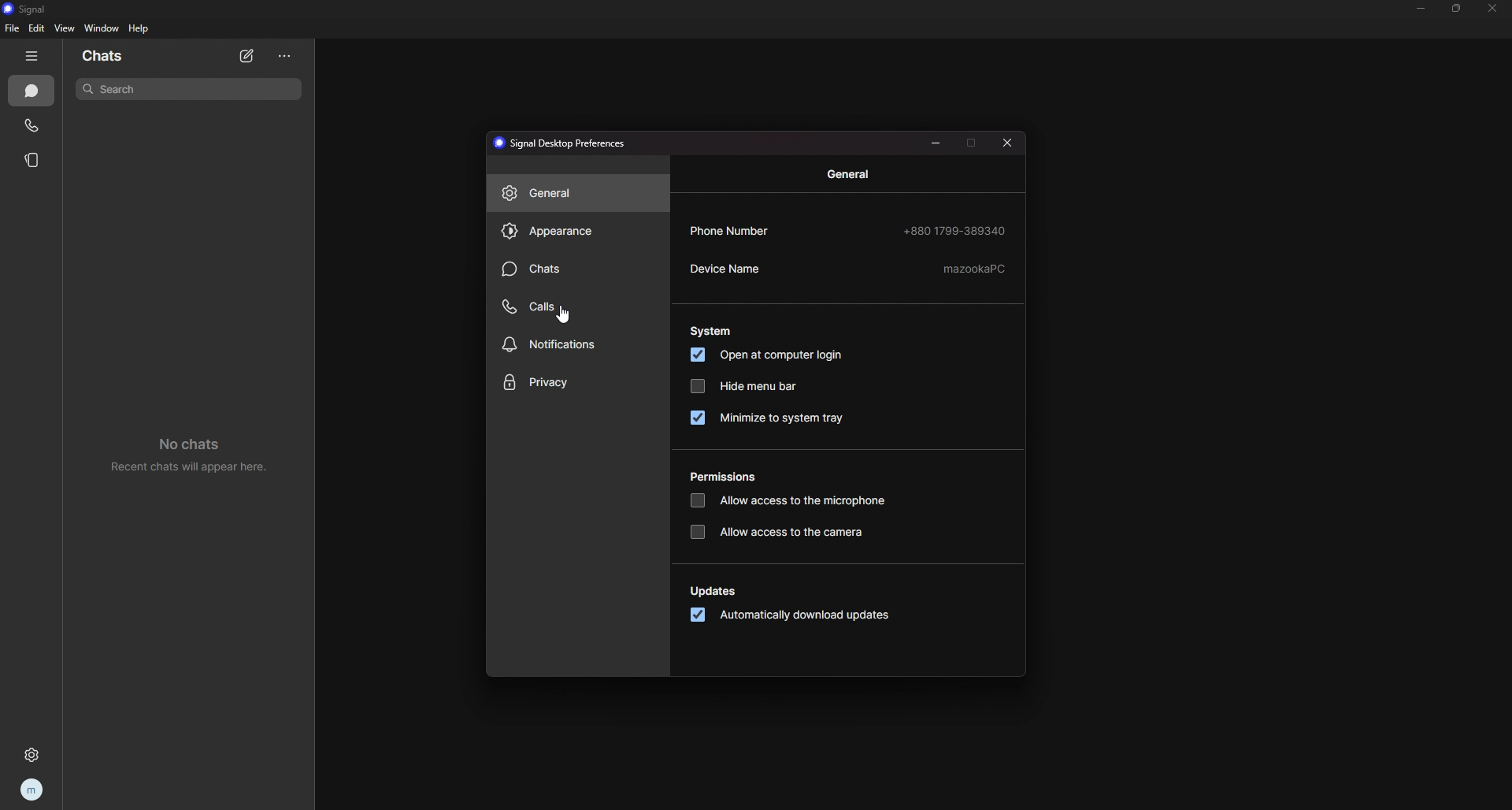 Image resolution: width=1512 pixels, height=810 pixels. Describe the element at coordinates (712, 332) in the screenshot. I see `system` at that location.